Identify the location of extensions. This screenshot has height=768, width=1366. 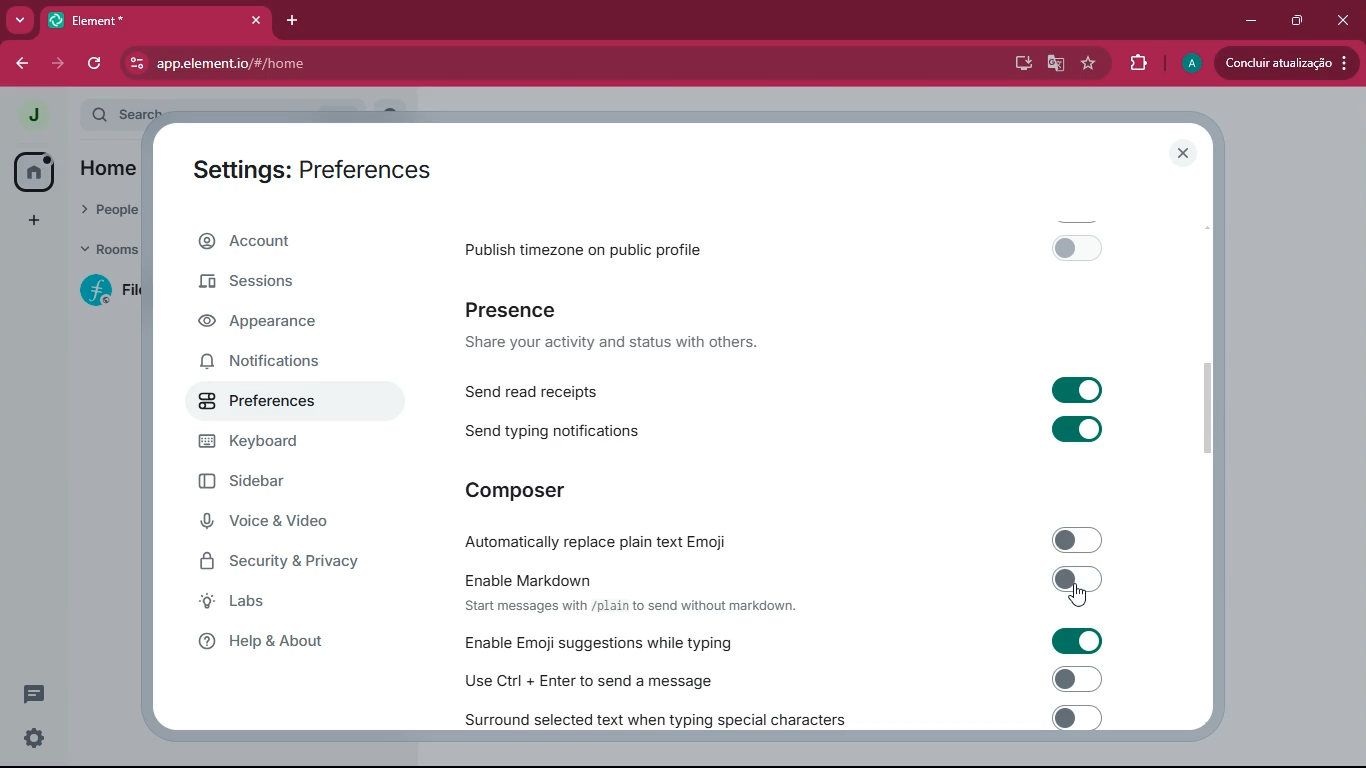
(1139, 64).